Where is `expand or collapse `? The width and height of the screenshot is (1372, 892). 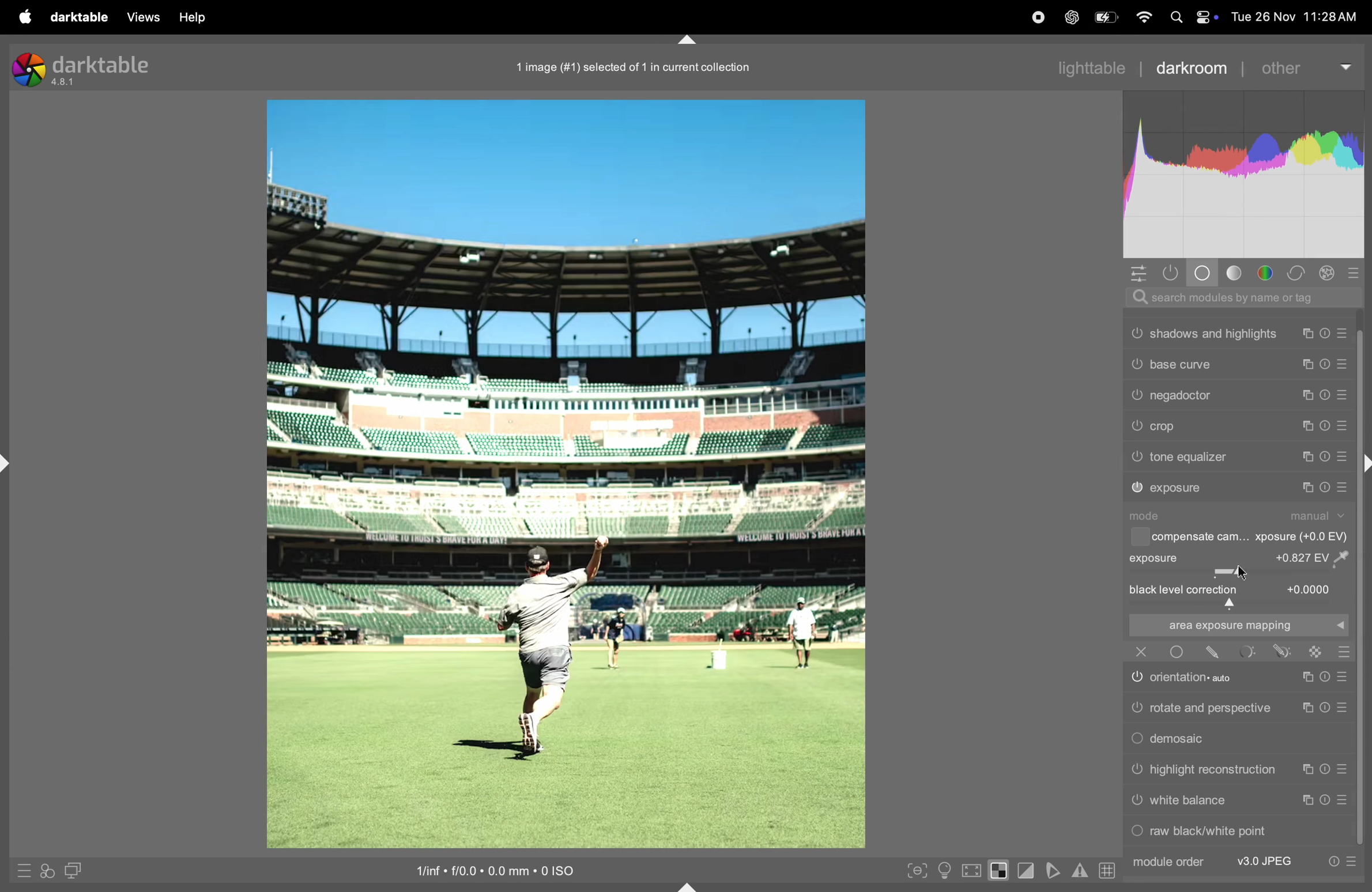 expand or collapse  is located at coordinates (9, 464).